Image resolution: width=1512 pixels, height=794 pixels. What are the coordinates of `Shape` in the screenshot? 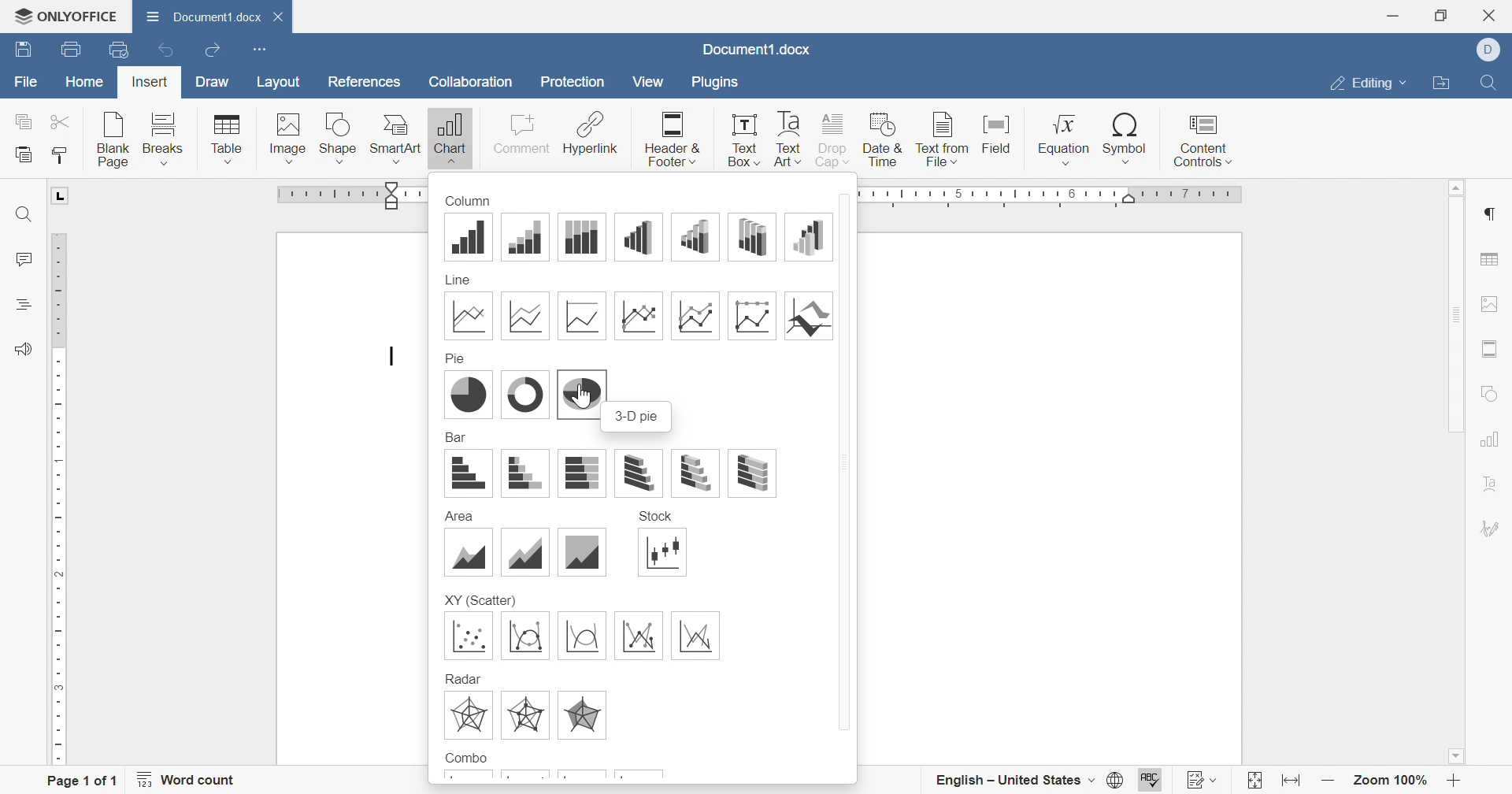 It's located at (339, 136).